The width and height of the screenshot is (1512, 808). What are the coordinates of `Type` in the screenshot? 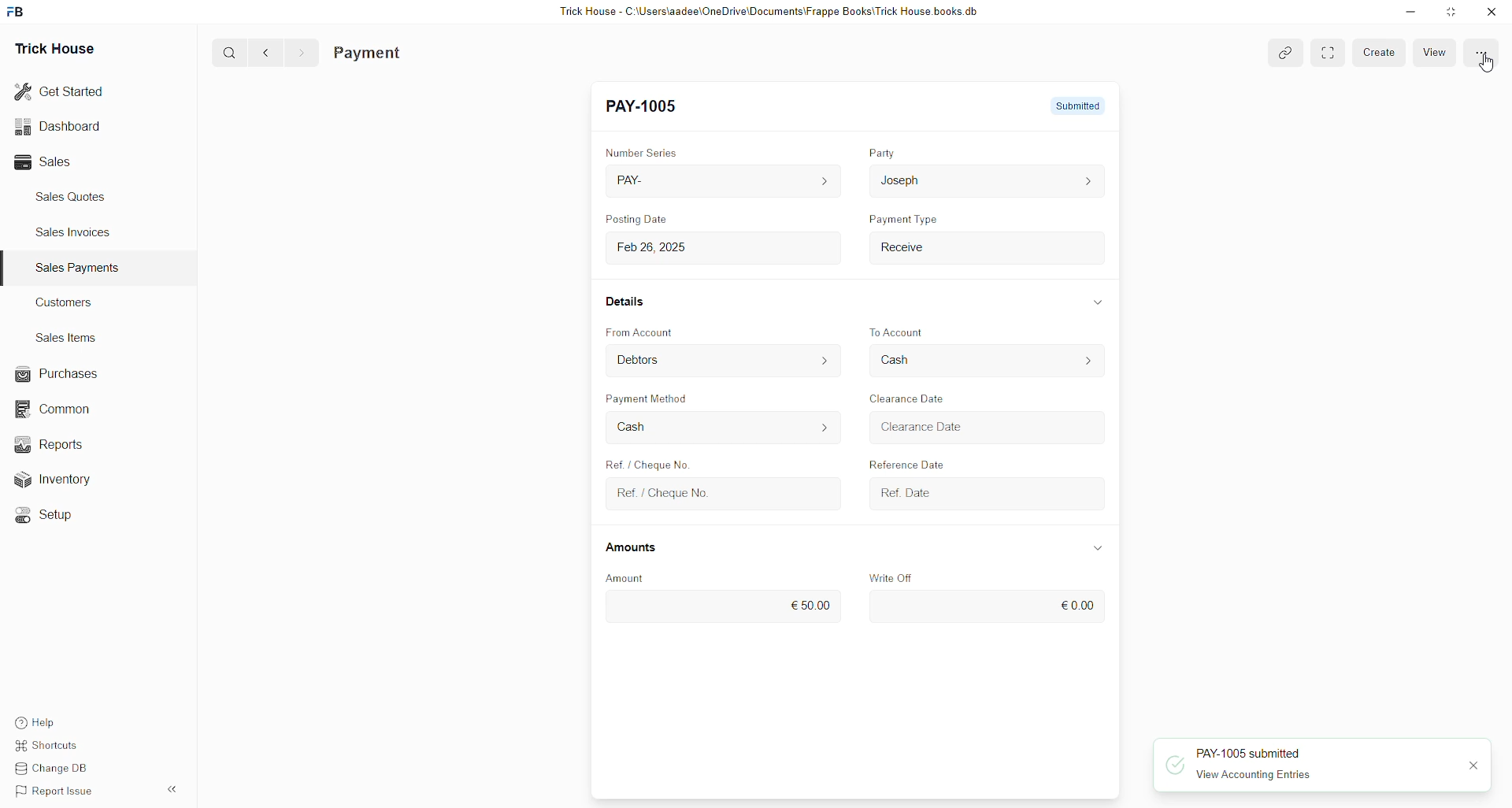 It's located at (677, 725).